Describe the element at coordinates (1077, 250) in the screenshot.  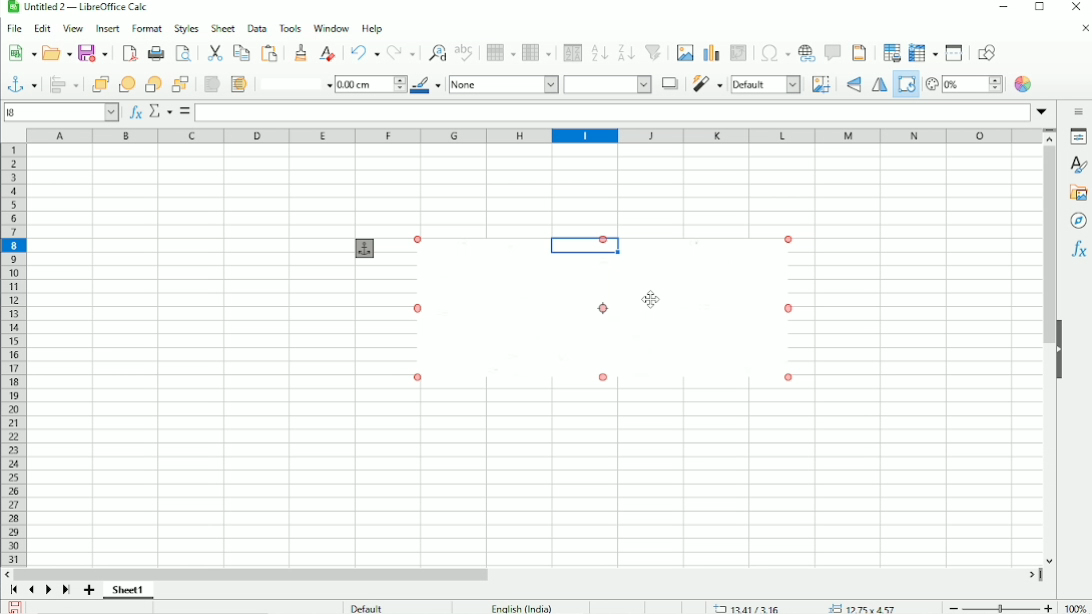
I see `Functions` at that location.